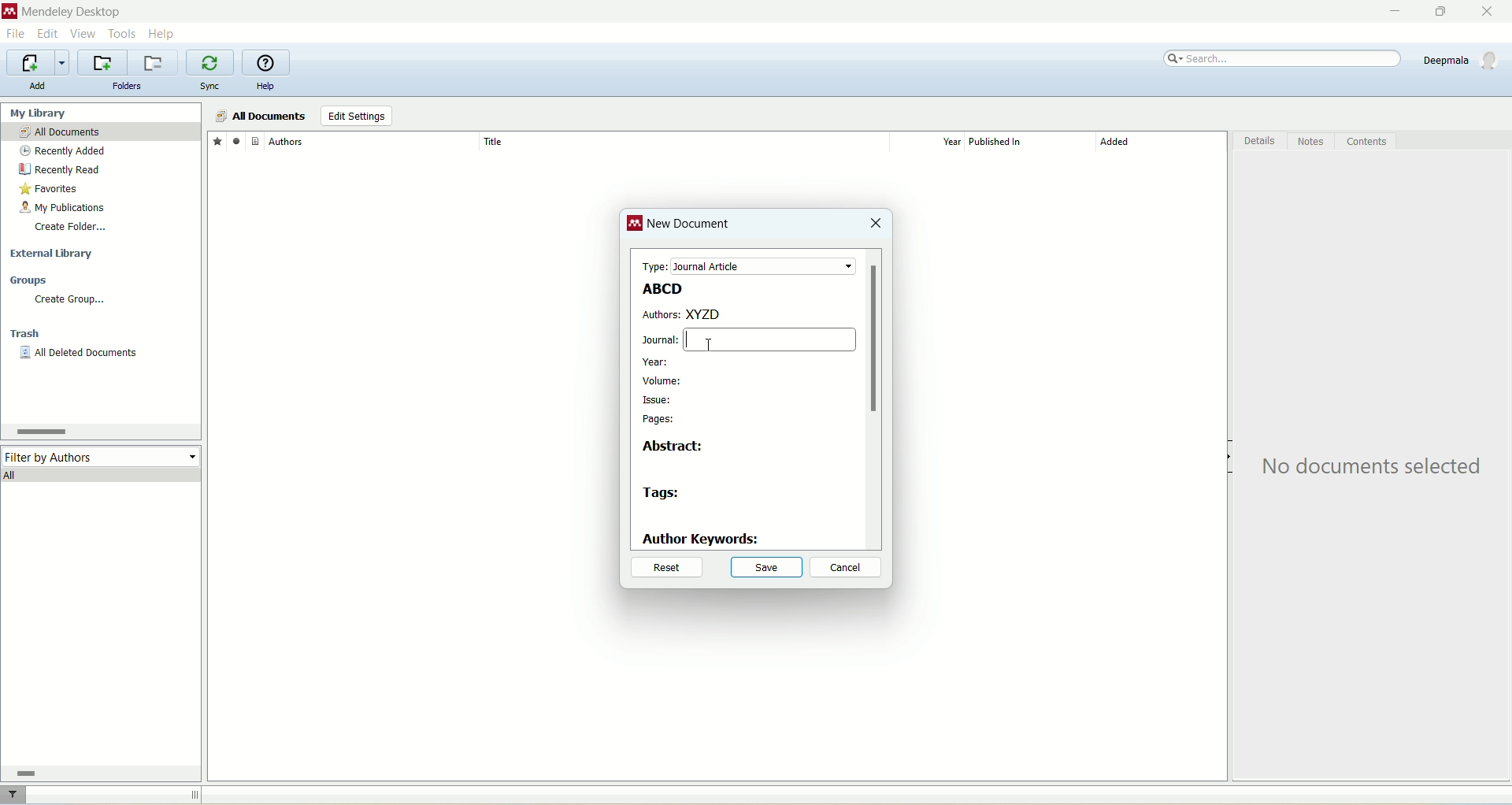 The image size is (1512, 805). I want to click on view, so click(84, 34).